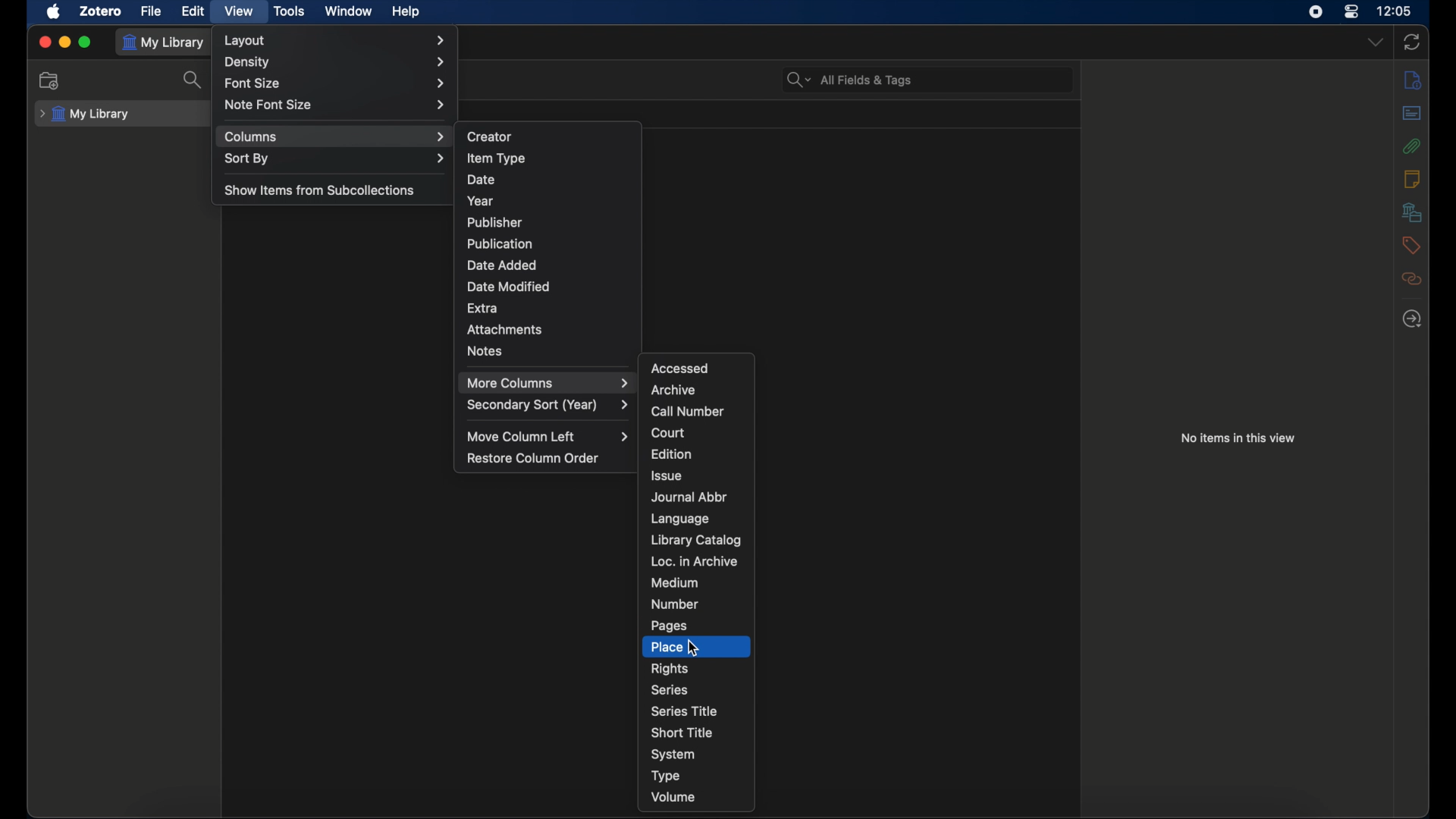  Describe the element at coordinates (55, 11) in the screenshot. I see `apple` at that location.